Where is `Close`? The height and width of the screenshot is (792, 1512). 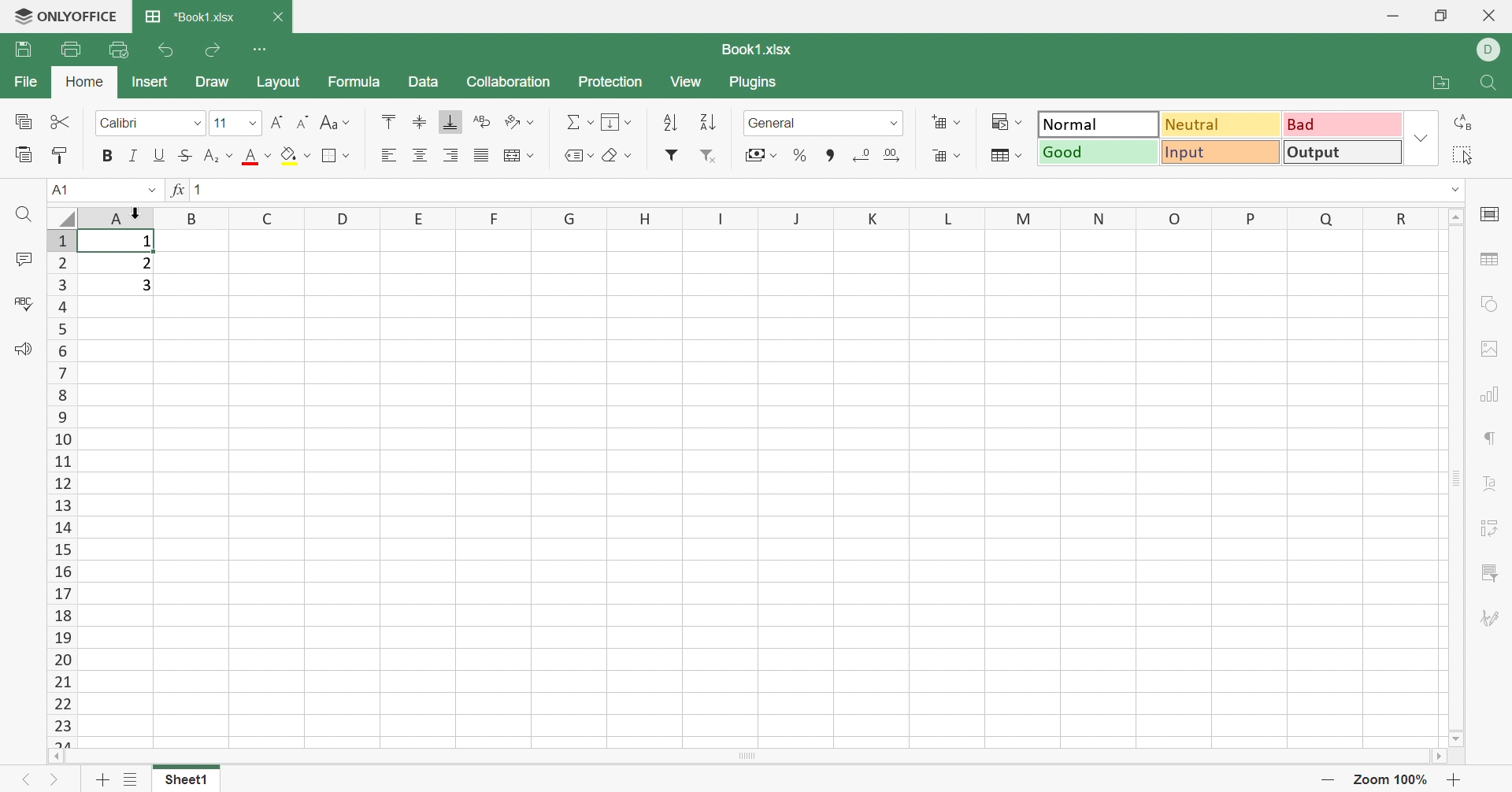 Close is located at coordinates (277, 17).